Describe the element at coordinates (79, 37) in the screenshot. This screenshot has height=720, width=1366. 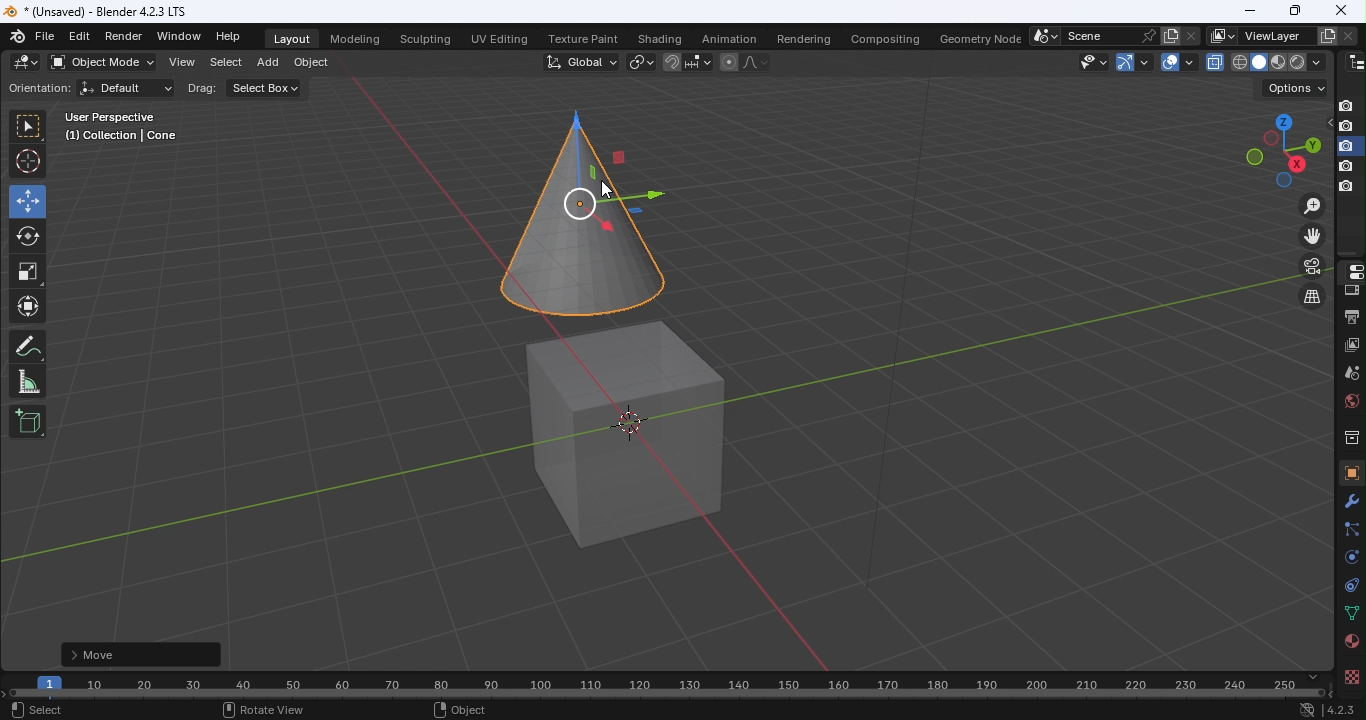
I see `Edit` at that location.